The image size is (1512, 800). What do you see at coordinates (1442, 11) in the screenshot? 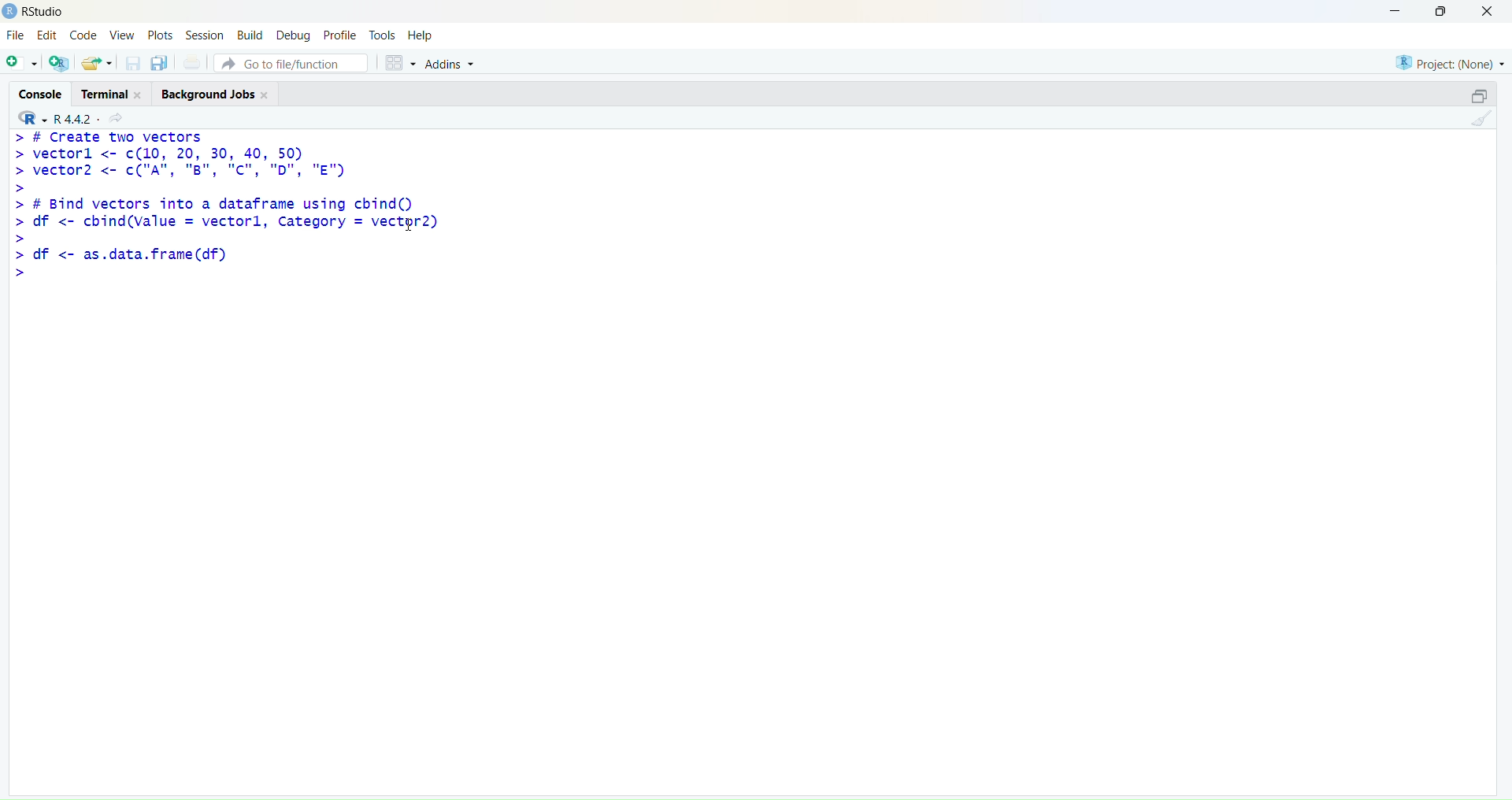
I see `Maximize` at bounding box center [1442, 11].